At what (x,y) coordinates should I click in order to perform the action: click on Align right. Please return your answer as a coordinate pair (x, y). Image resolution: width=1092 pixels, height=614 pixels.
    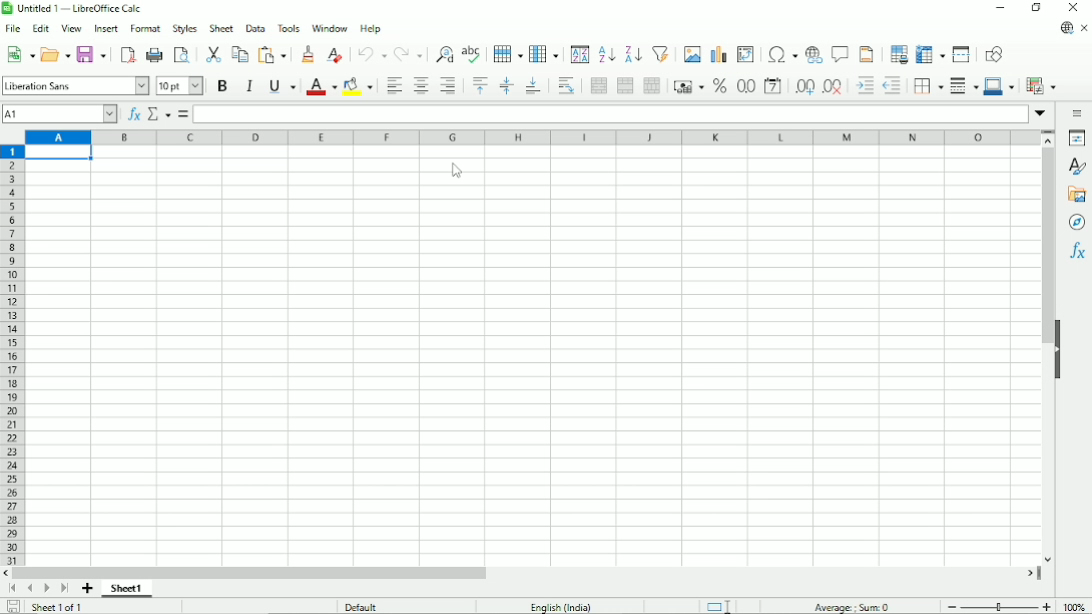
    Looking at the image, I should click on (448, 87).